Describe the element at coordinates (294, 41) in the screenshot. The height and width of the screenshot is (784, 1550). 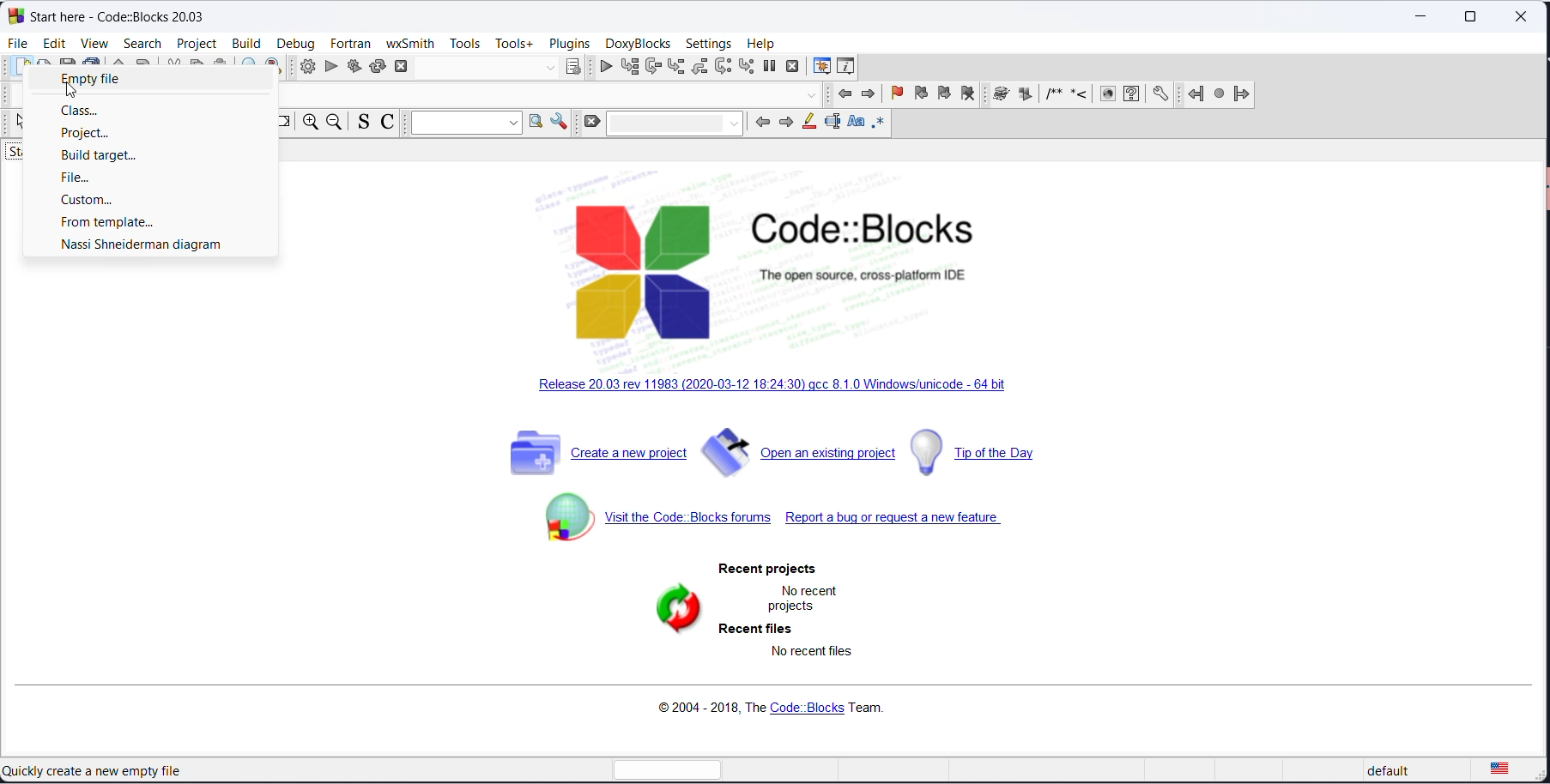
I see `Debug` at that location.